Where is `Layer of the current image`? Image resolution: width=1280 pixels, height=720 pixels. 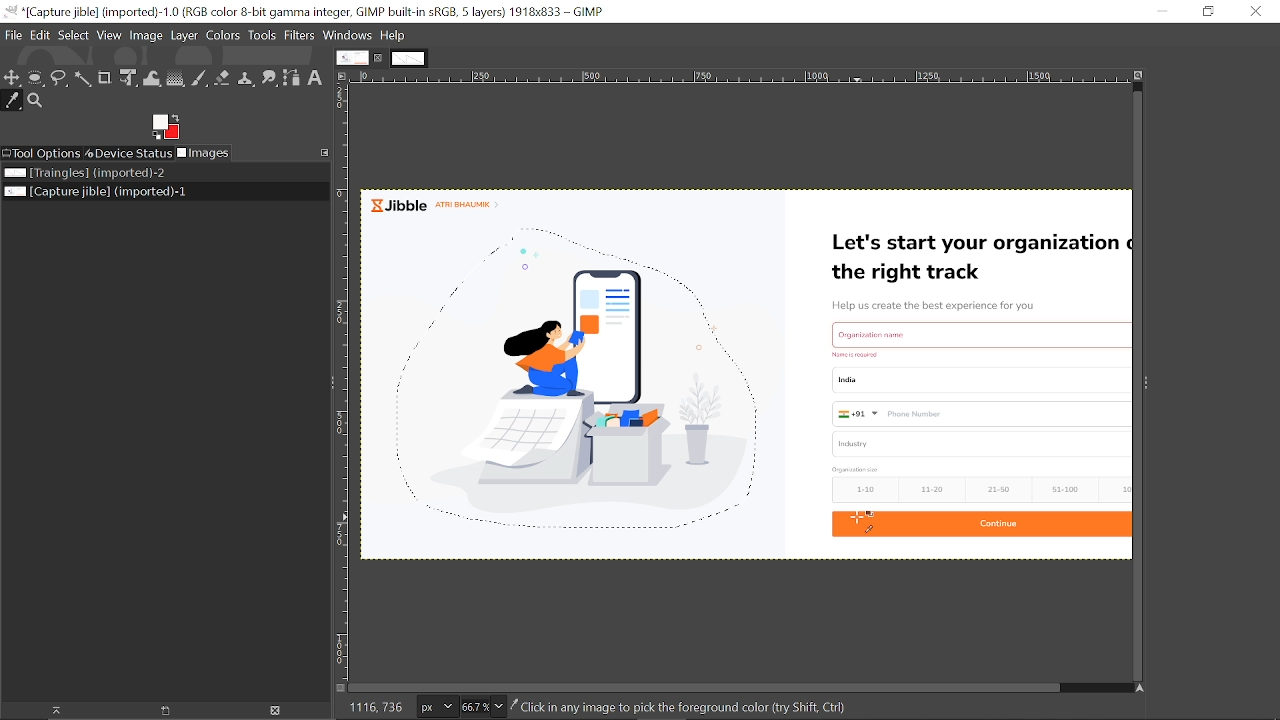 Layer of the current image is located at coordinates (684, 708).